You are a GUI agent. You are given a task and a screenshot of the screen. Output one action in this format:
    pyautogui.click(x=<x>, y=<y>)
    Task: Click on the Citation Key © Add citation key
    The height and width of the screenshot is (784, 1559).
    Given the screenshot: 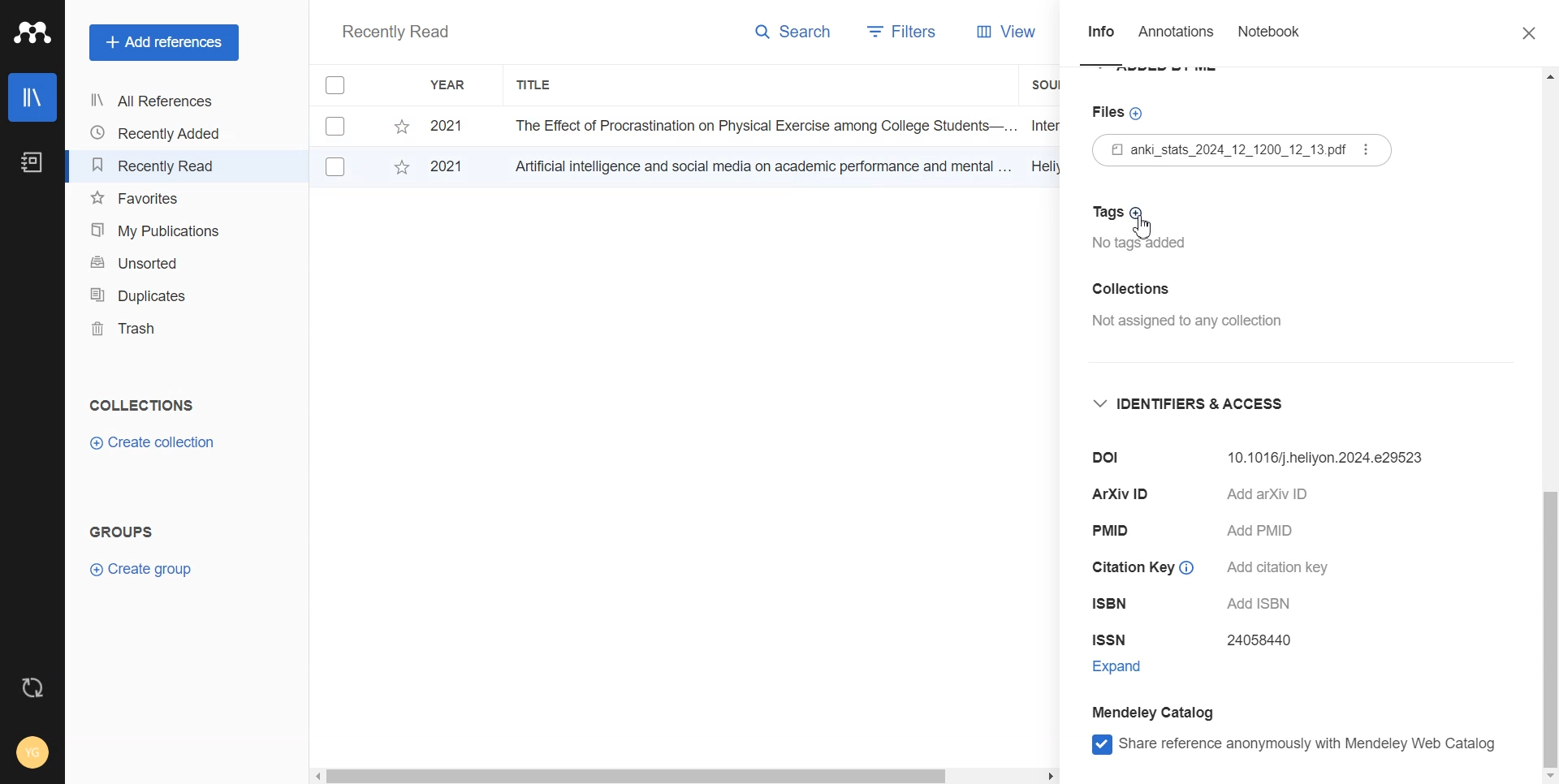 What is the action you would take?
    pyautogui.click(x=1214, y=572)
    